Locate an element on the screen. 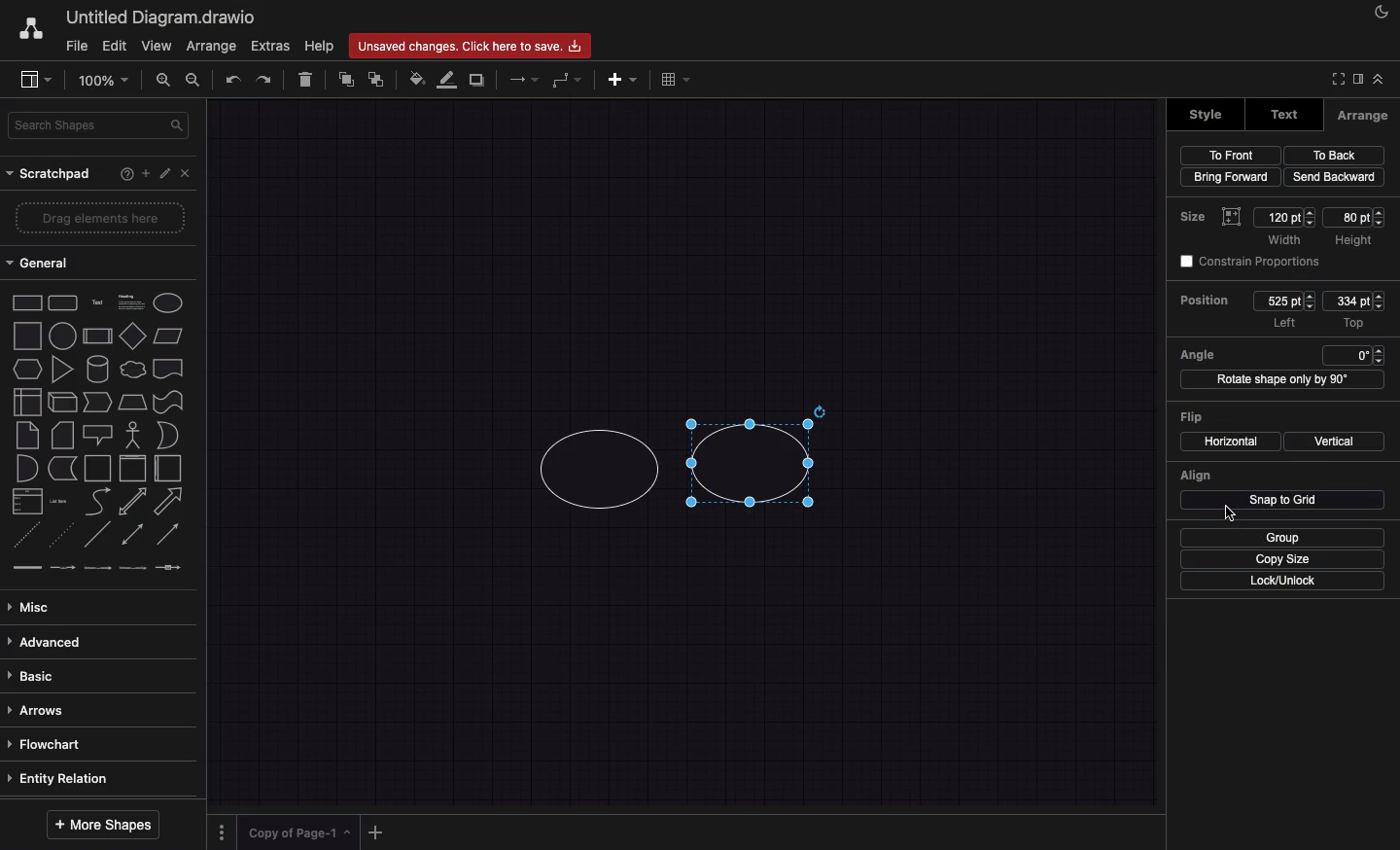 The image size is (1400, 850). edit is located at coordinates (118, 47).